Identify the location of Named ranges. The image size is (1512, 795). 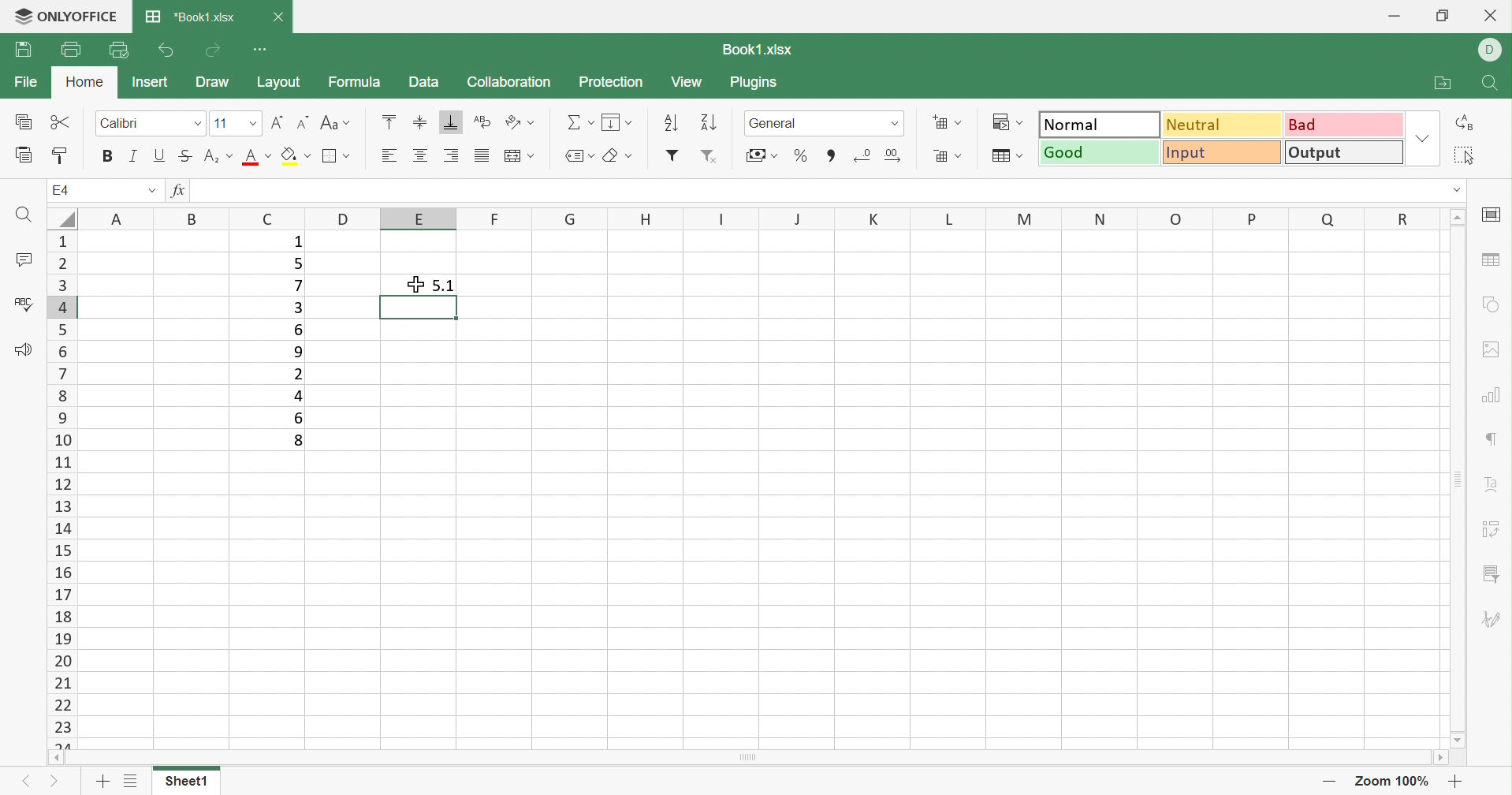
(579, 155).